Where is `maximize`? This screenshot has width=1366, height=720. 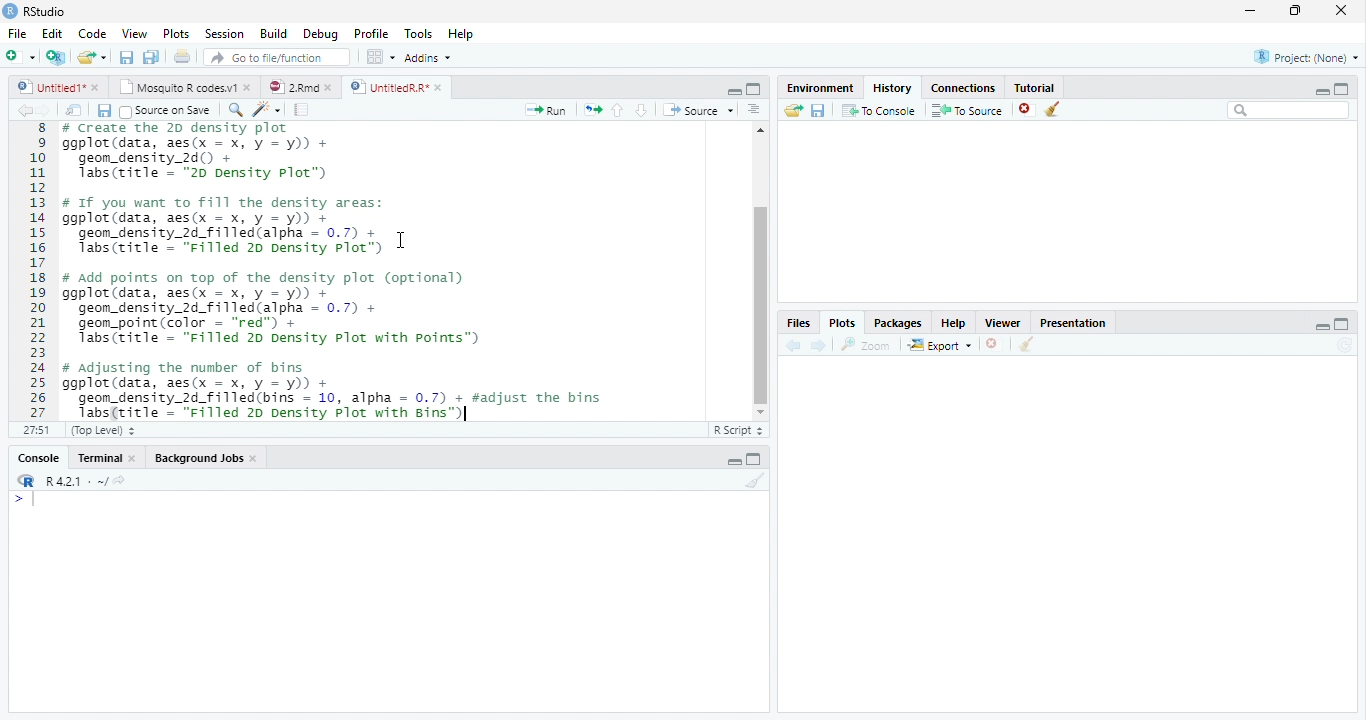 maximize is located at coordinates (1297, 10).